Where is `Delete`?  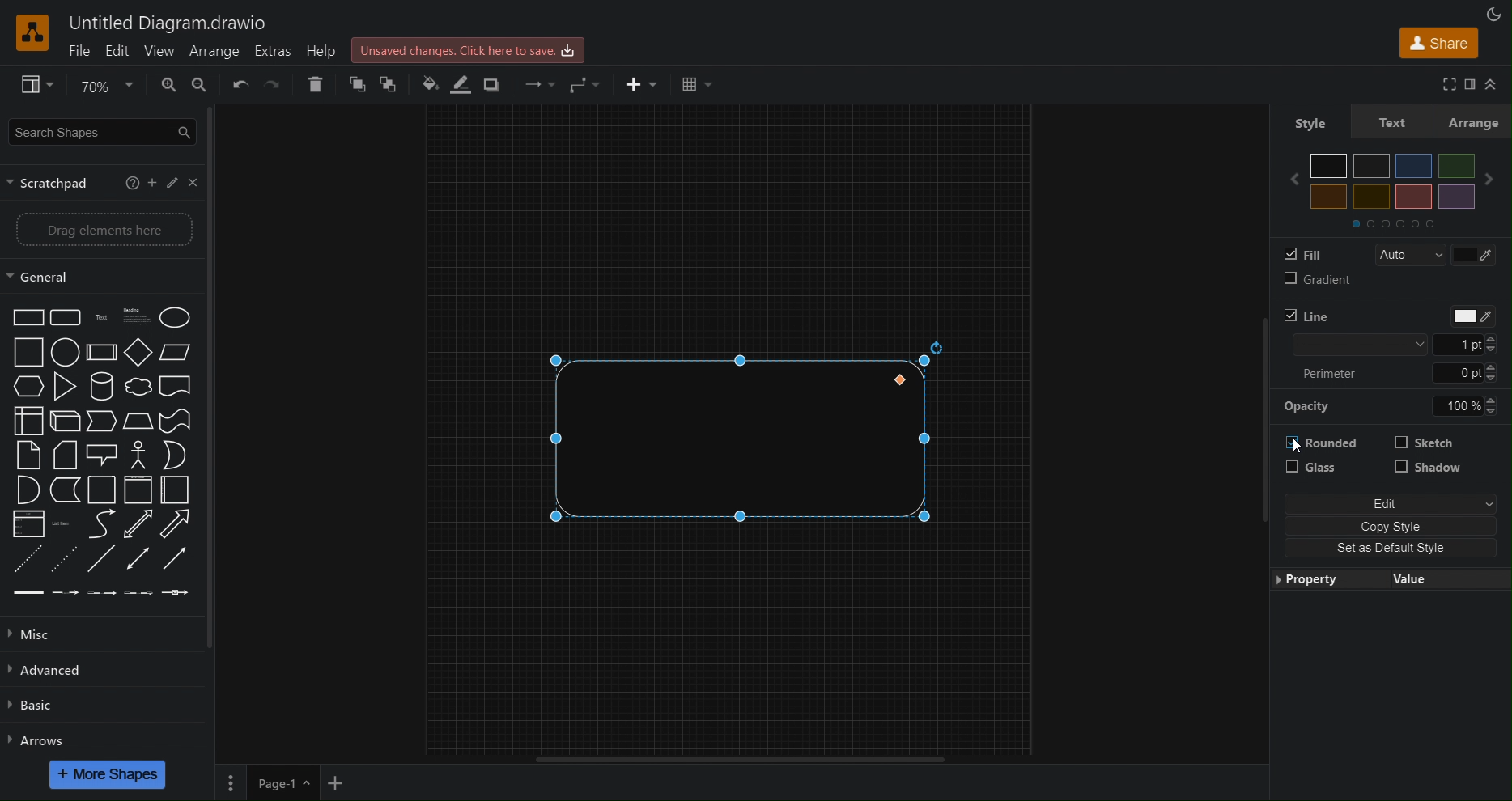 Delete is located at coordinates (312, 87).